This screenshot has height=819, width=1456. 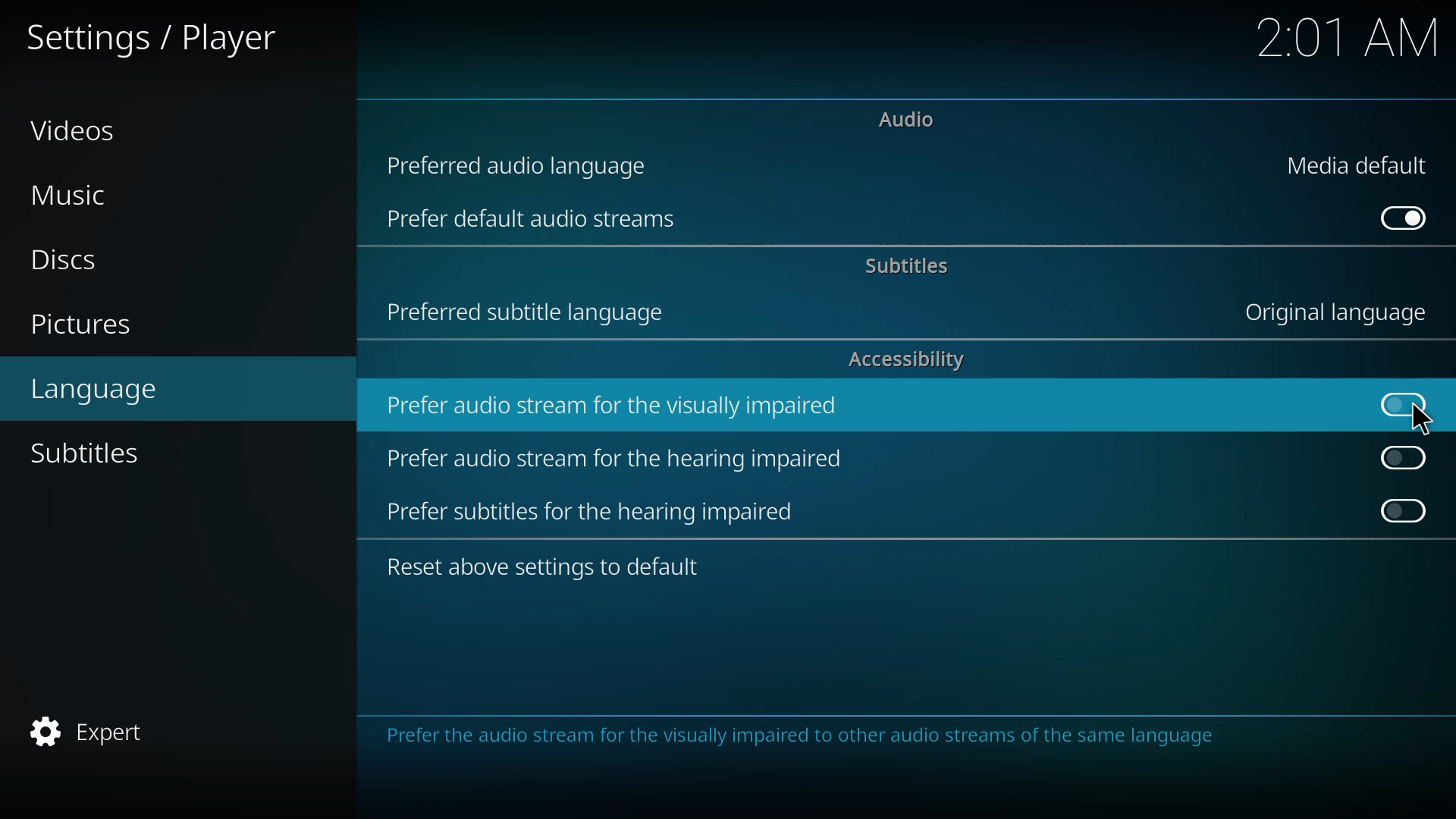 I want to click on accessibility, so click(x=906, y=360).